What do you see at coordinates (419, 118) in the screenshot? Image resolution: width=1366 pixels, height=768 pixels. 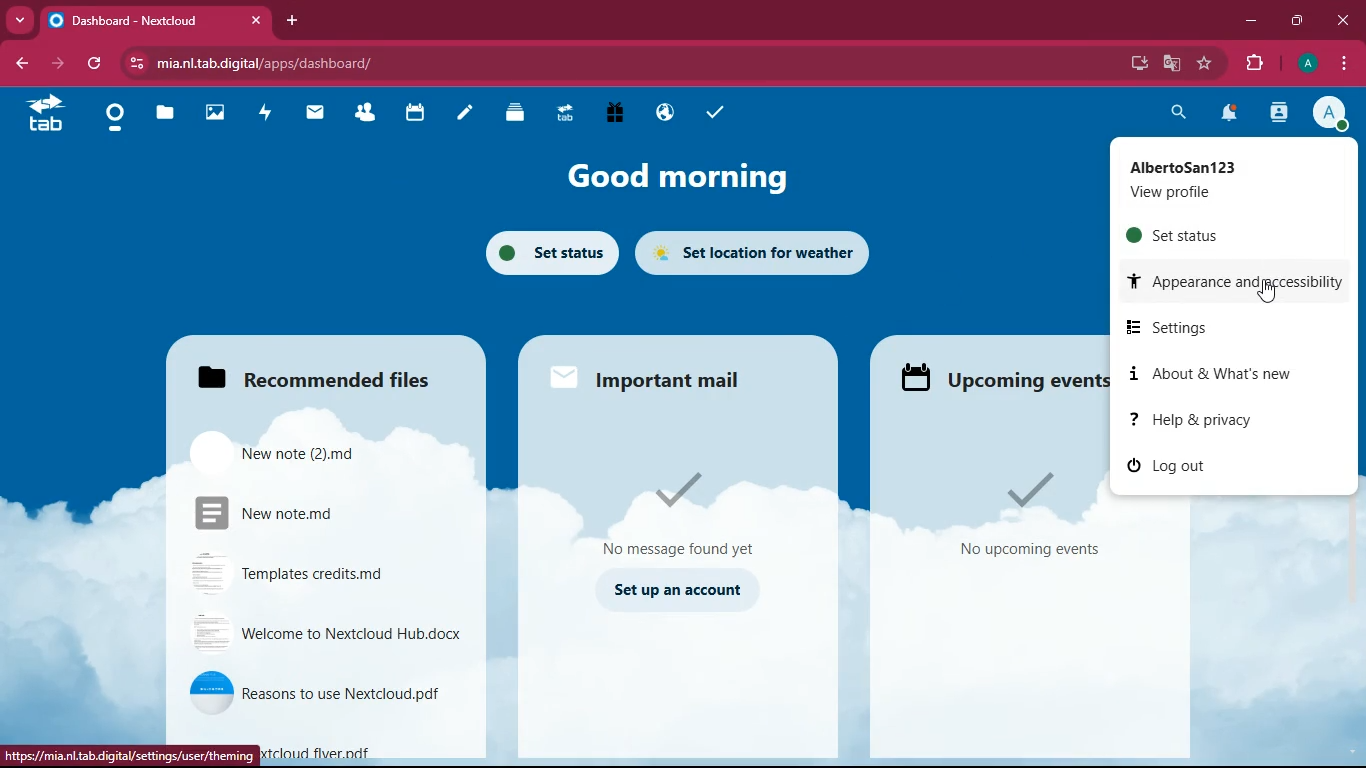 I see `calendar` at bounding box center [419, 118].